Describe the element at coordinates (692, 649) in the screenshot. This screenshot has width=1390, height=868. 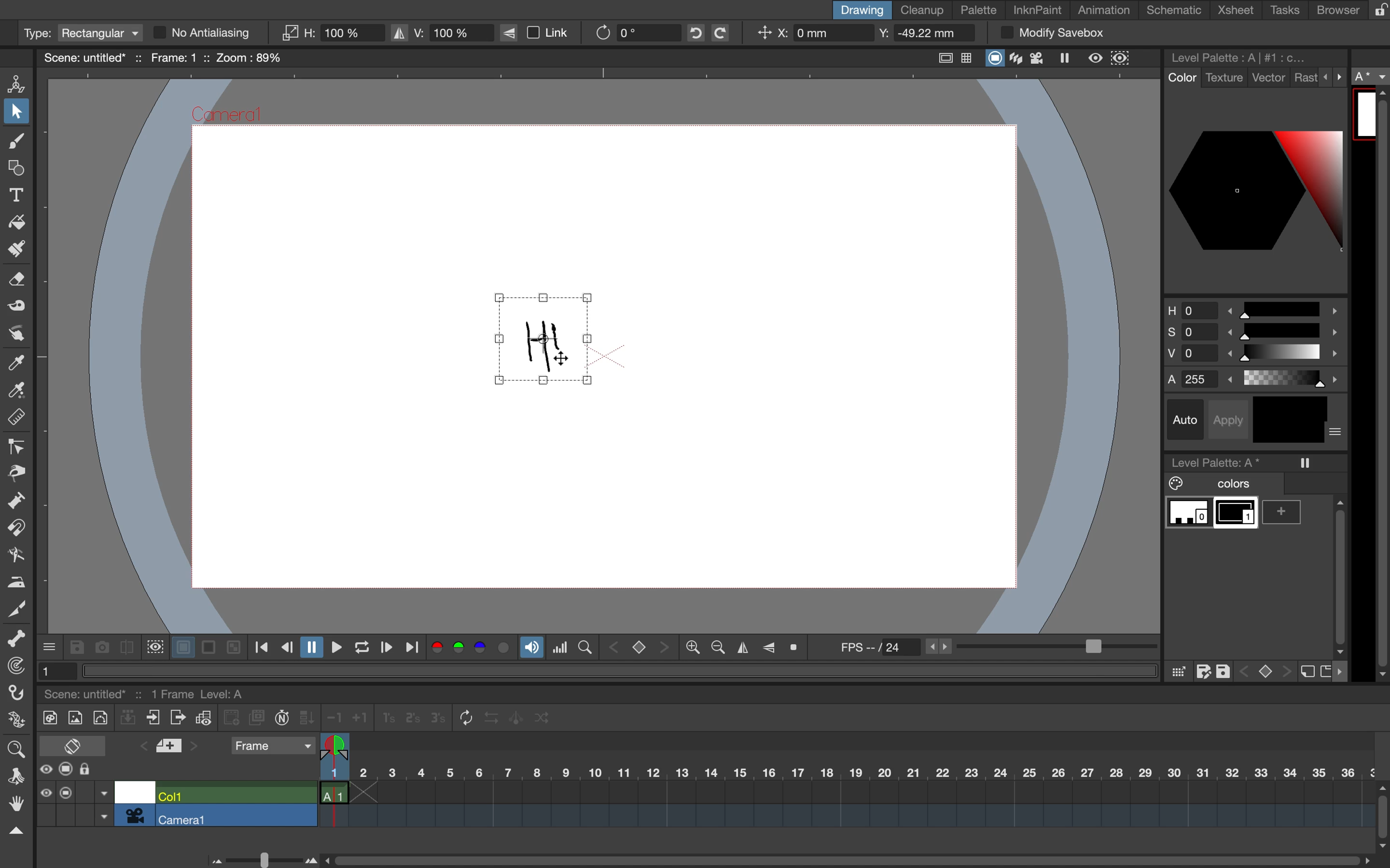
I see `zoom out` at that location.